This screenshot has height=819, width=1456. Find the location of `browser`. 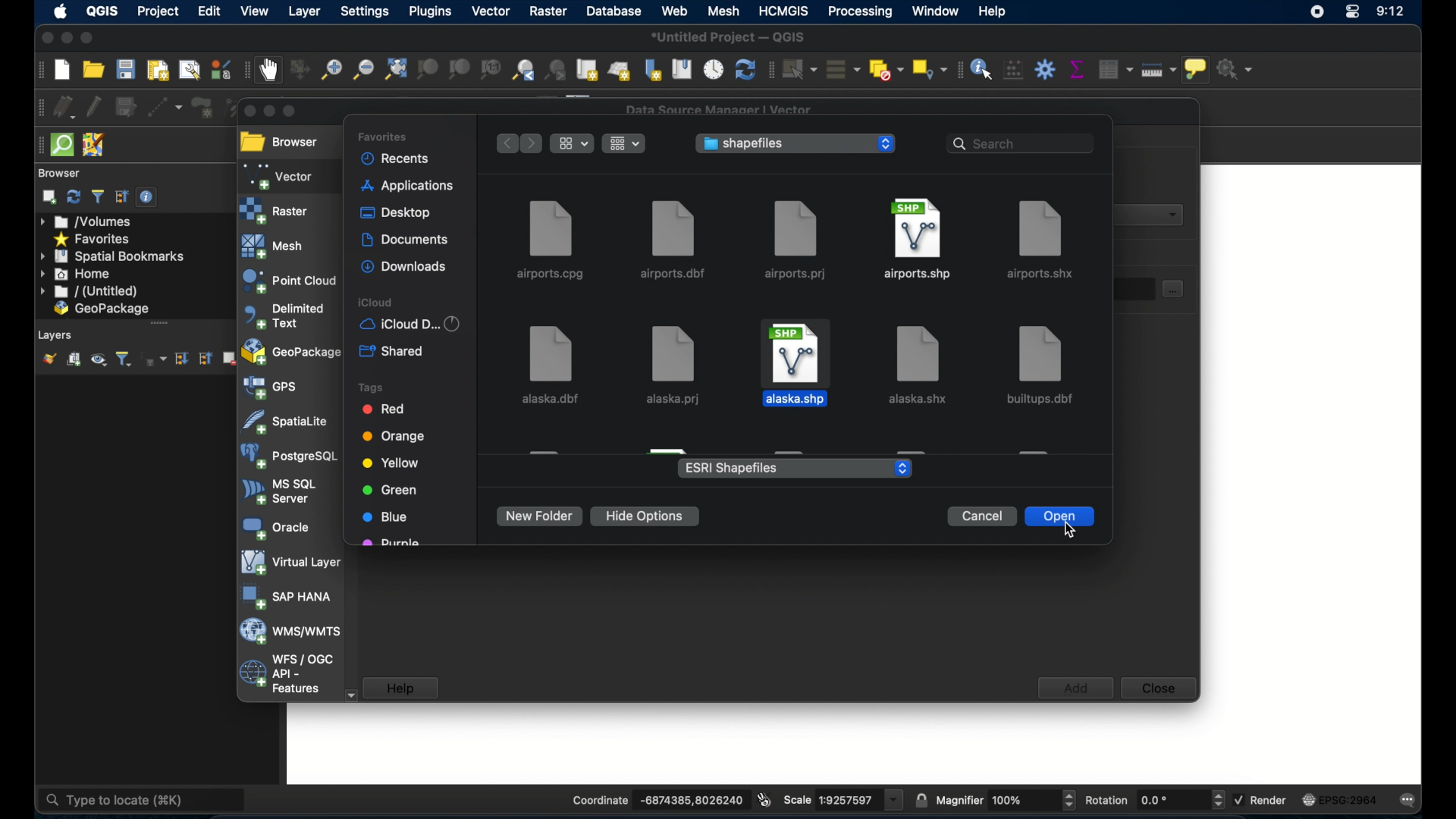

browser is located at coordinates (62, 173).